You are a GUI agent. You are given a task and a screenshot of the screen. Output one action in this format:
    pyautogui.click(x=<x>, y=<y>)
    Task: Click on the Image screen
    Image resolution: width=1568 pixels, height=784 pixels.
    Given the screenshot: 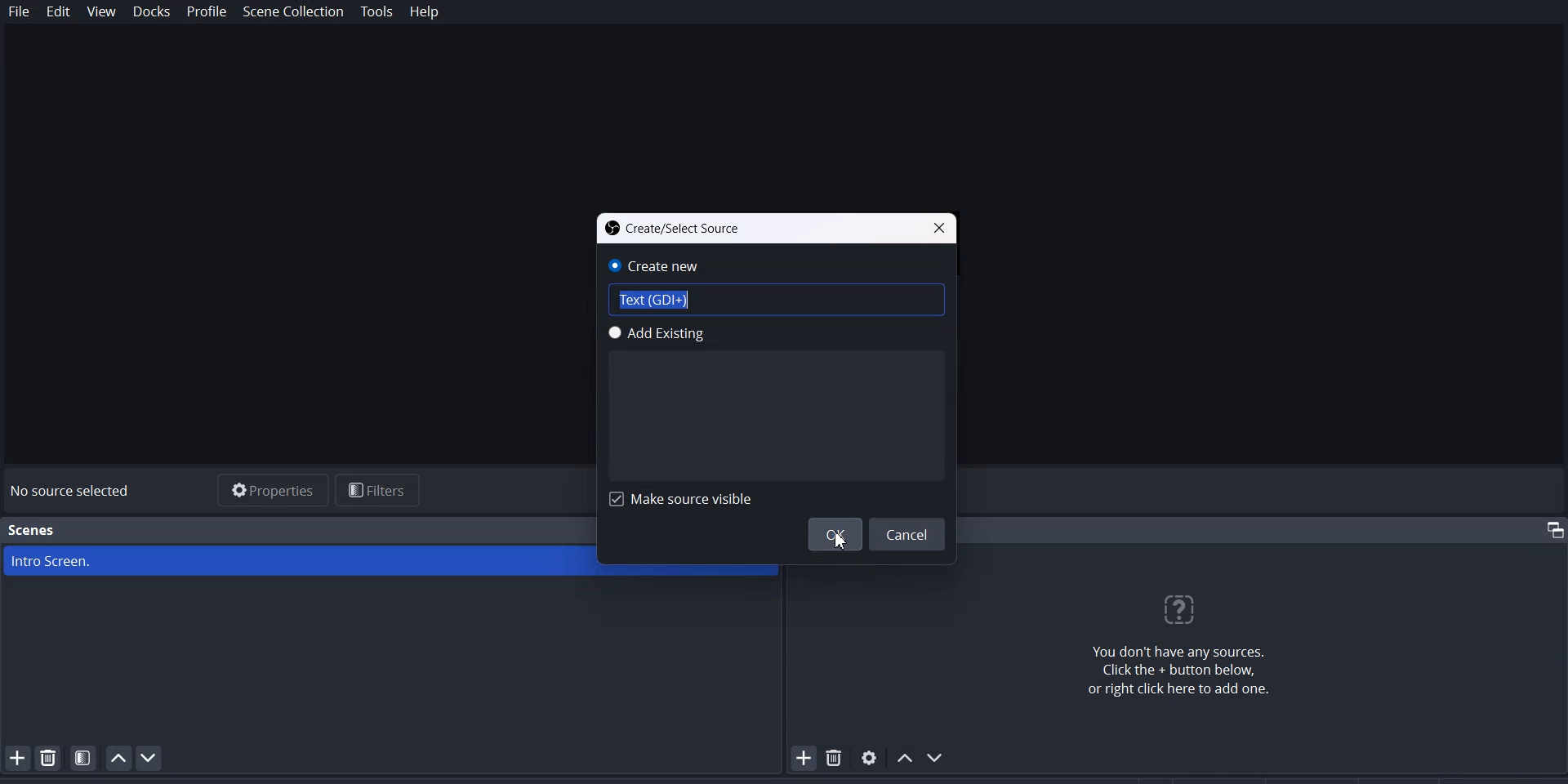 What is the action you would take?
    pyautogui.click(x=300, y=561)
    